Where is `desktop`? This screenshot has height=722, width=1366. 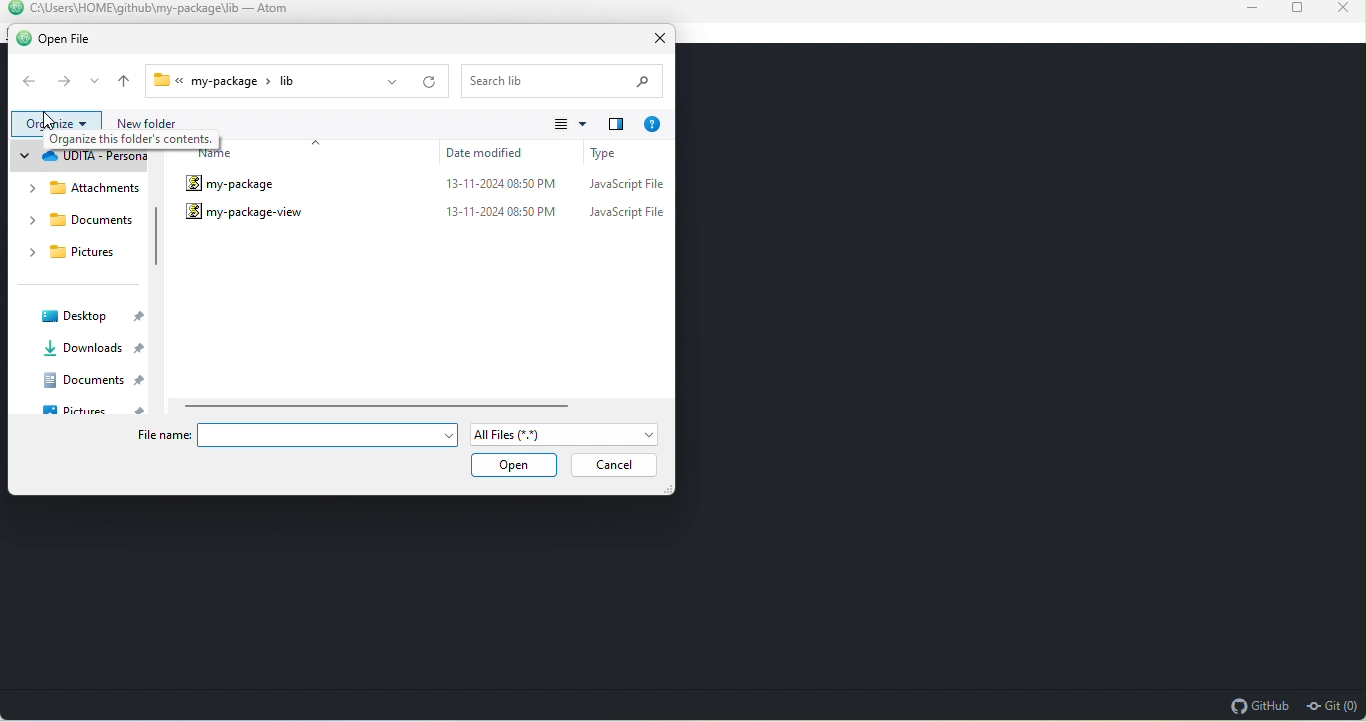
desktop is located at coordinates (89, 316).